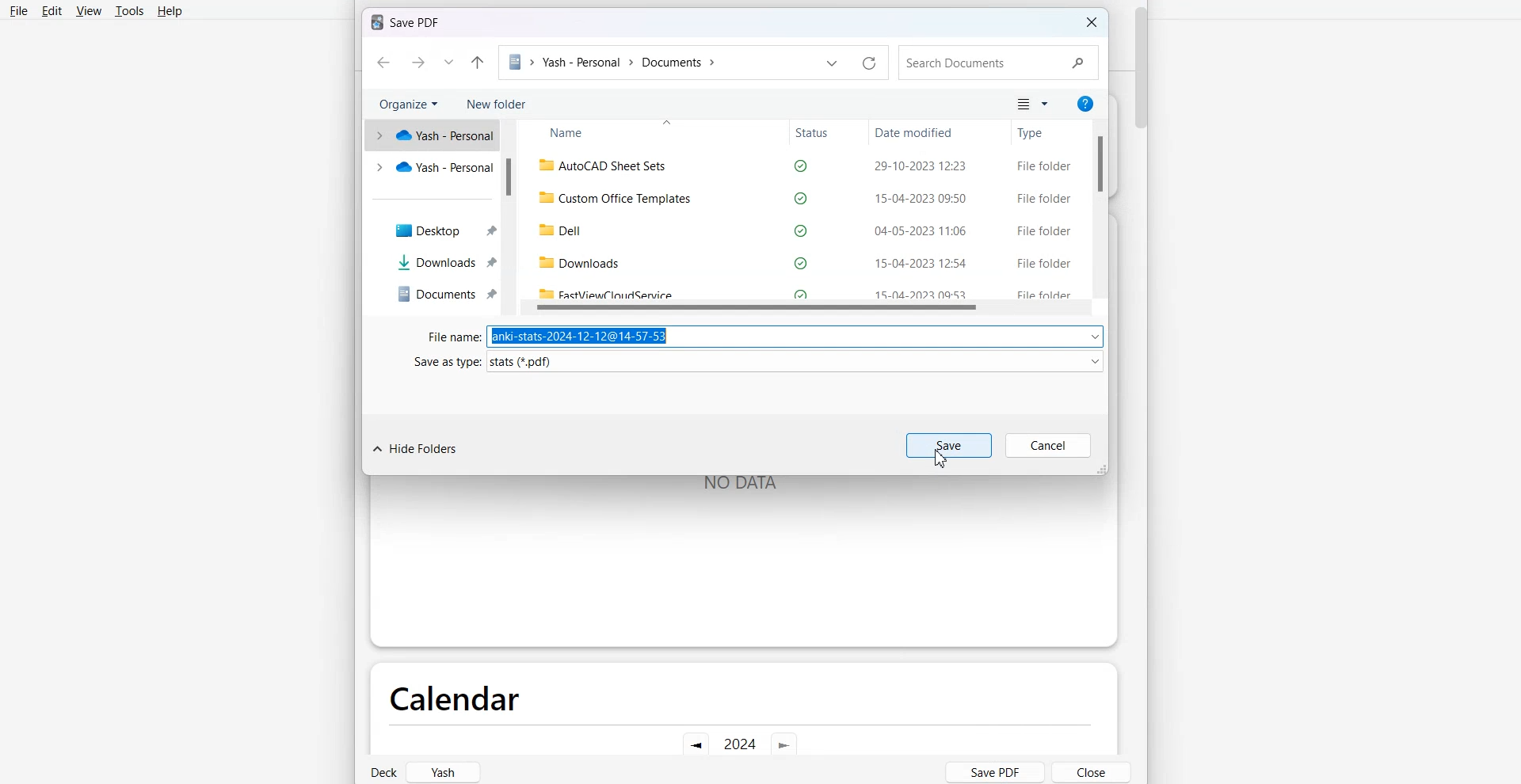 This screenshot has width=1521, height=784. What do you see at coordinates (431, 137) in the screenshot?
I see `yash personal` at bounding box center [431, 137].